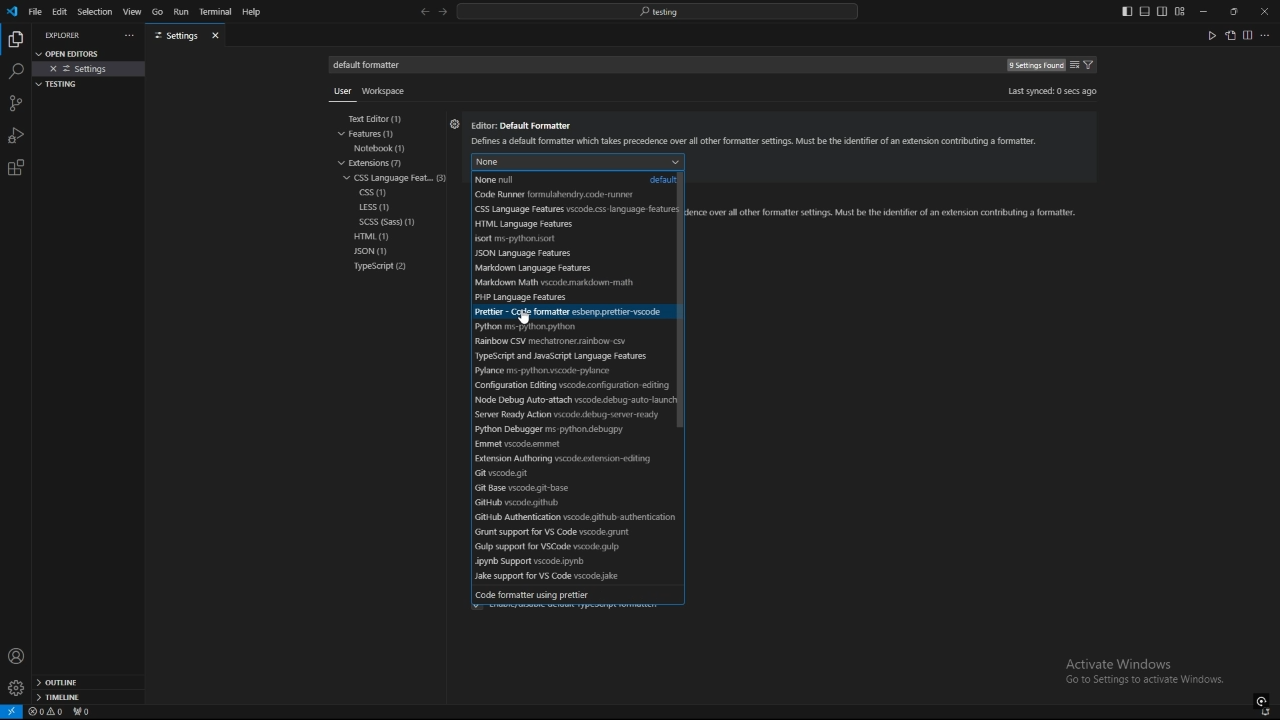 Image resolution: width=1280 pixels, height=720 pixels. I want to click on errors, so click(46, 712).